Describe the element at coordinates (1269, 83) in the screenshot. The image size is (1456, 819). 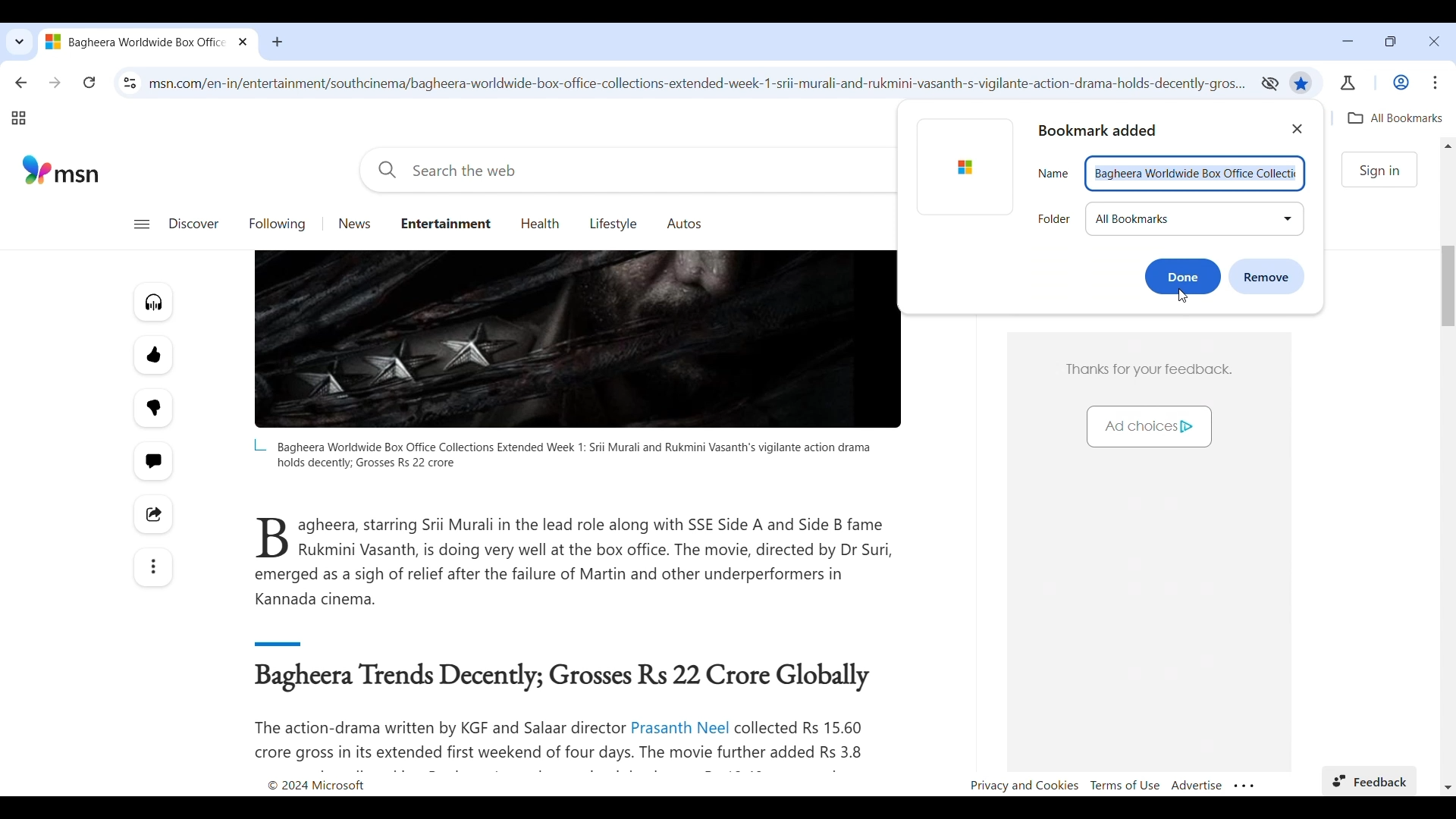
I see `Third-party cookies limited` at that location.